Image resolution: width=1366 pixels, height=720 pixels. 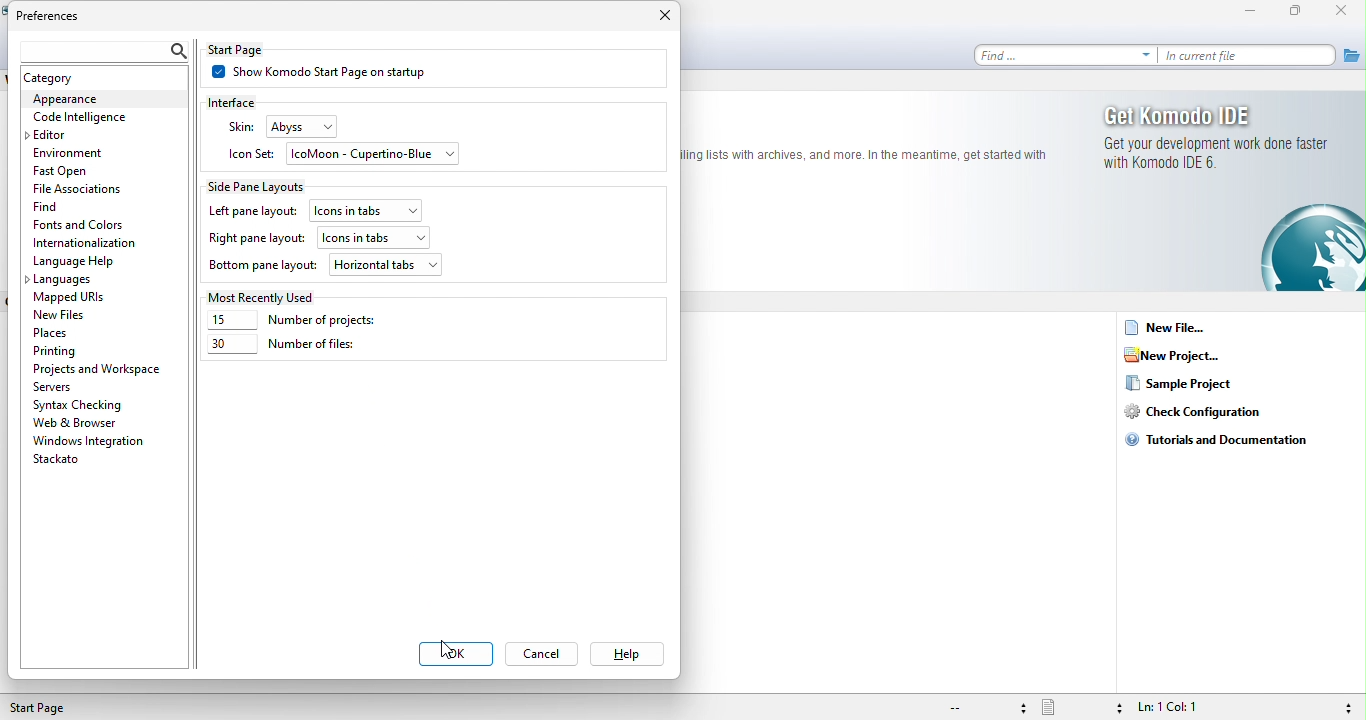 What do you see at coordinates (546, 656) in the screenshot?
I see `cancel` at bounding box center [546, 656].